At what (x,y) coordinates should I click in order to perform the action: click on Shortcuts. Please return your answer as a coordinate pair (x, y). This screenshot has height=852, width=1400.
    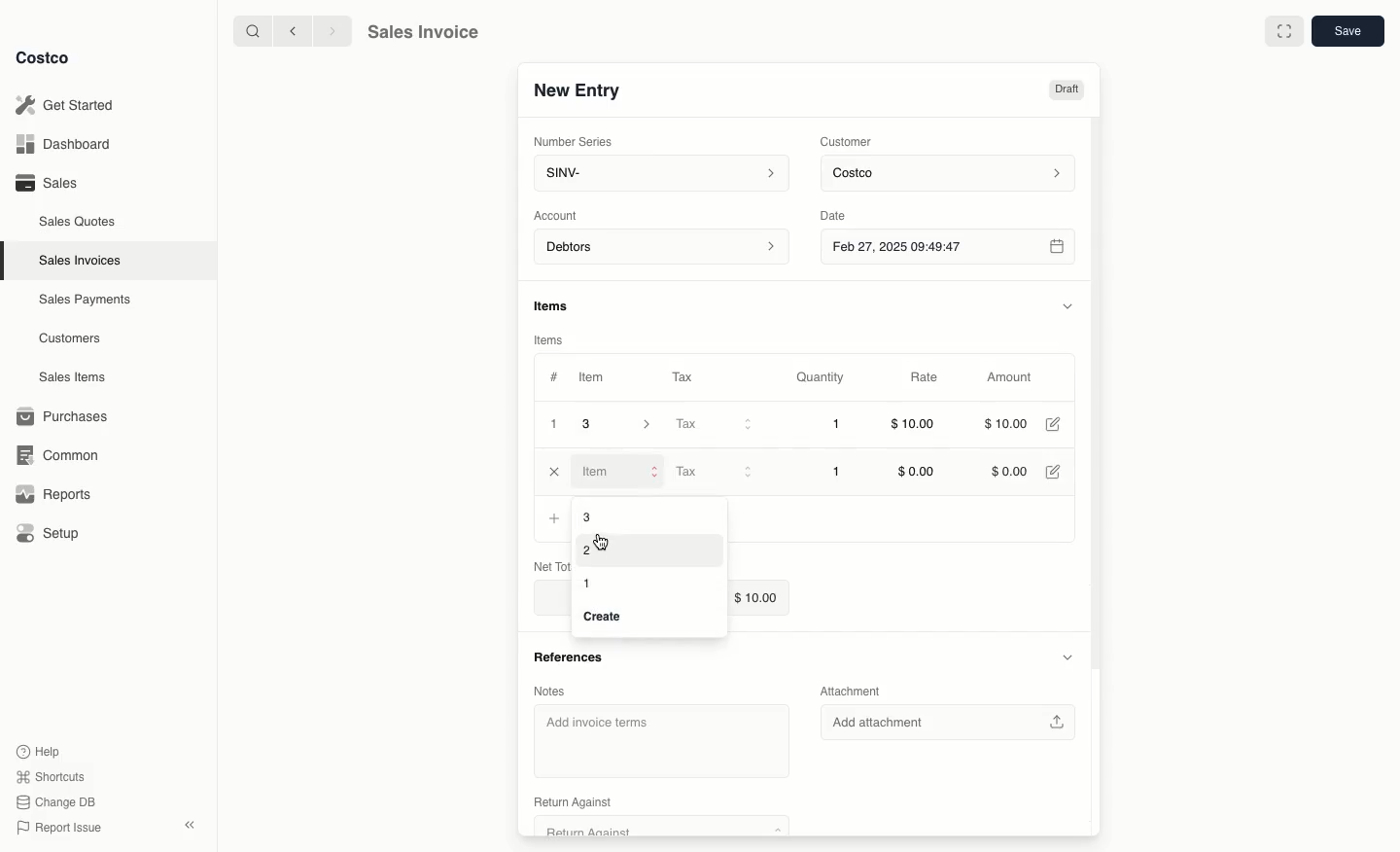
    Looking at the image, I should click on (50, 775).